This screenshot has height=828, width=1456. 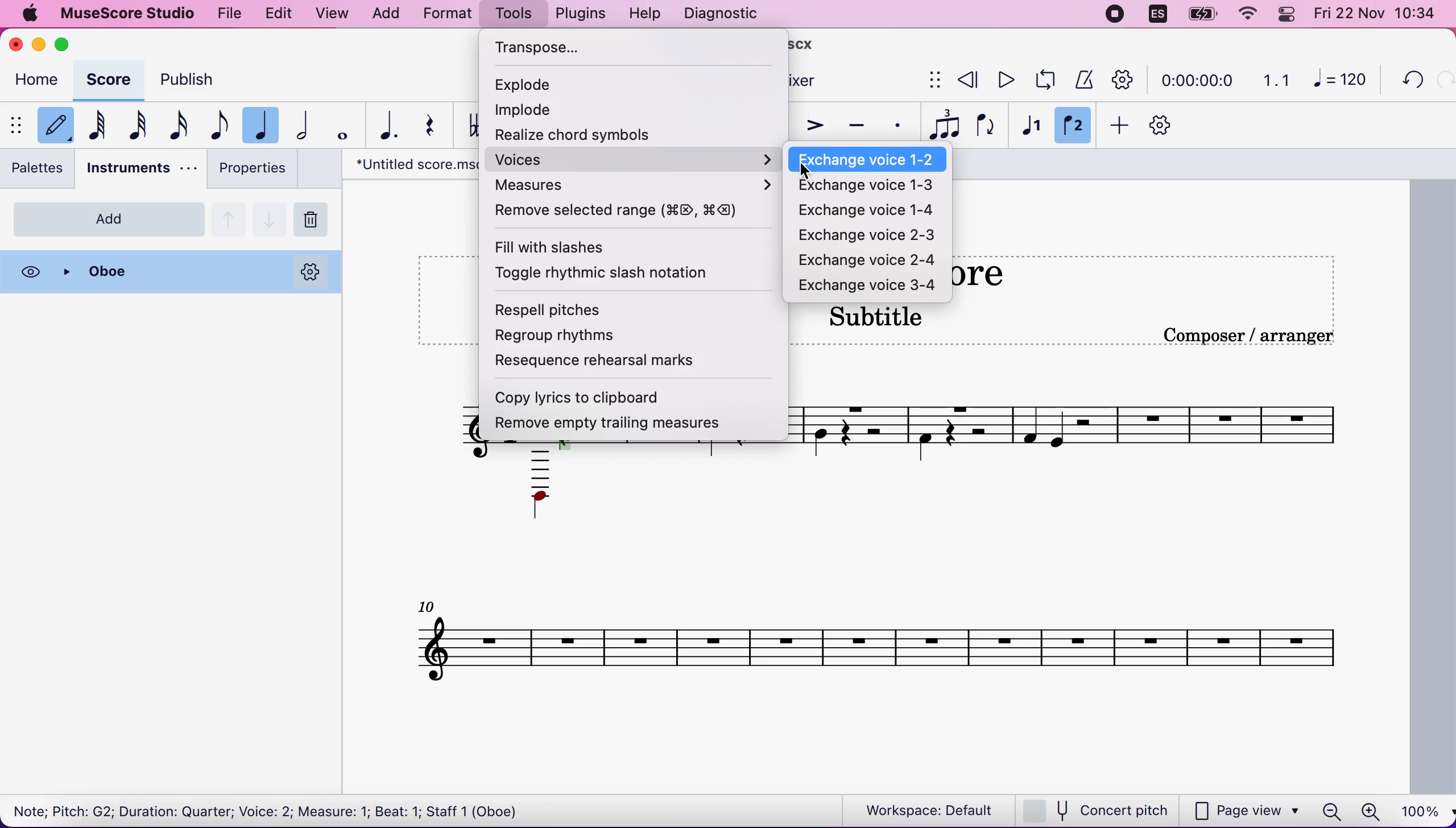 What do you see at coordinates (574, 309) in the screenshot?
I see `respell pitches` at bounding box center [574, 309].